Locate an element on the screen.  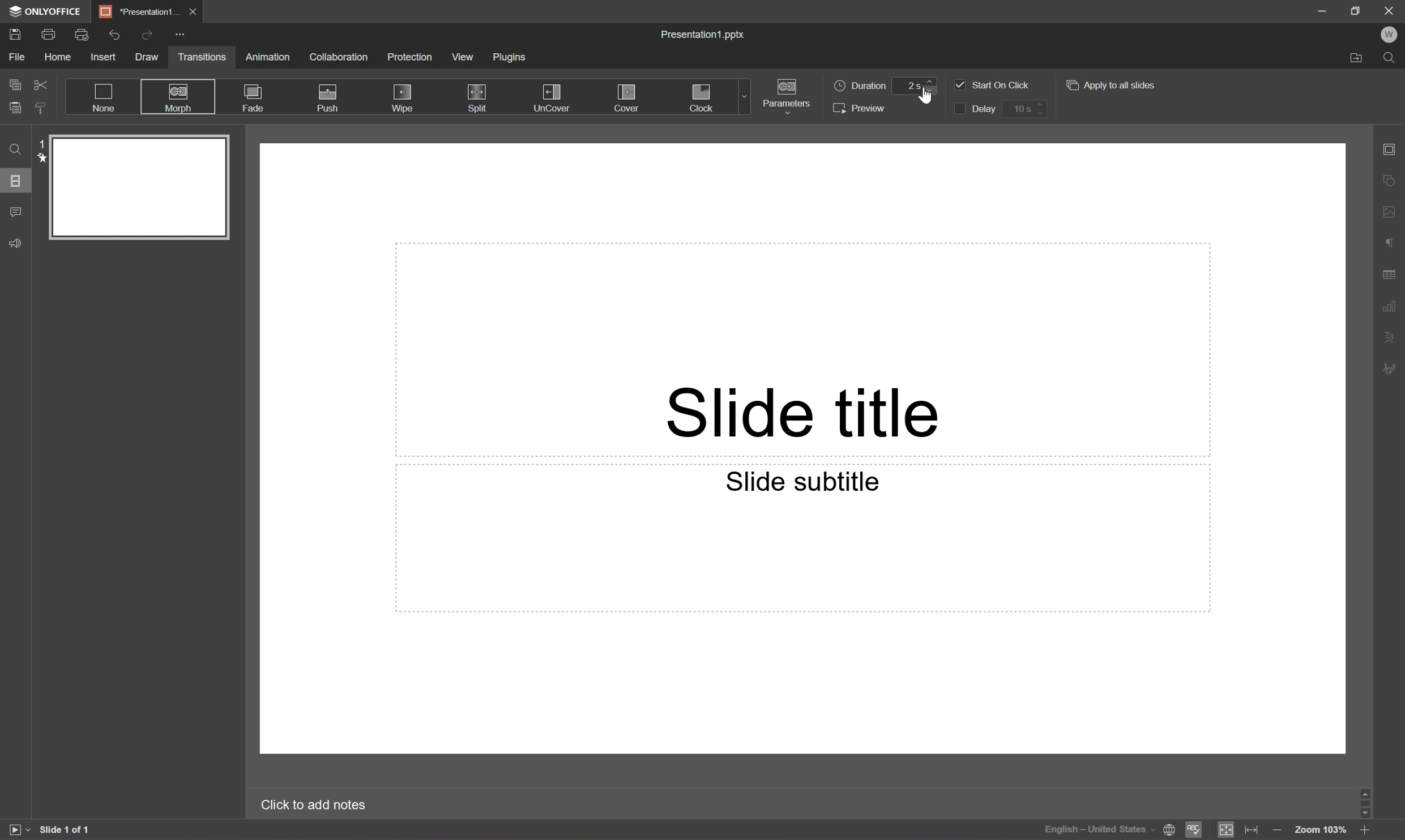
Clock is located at coordinates (703, 97).